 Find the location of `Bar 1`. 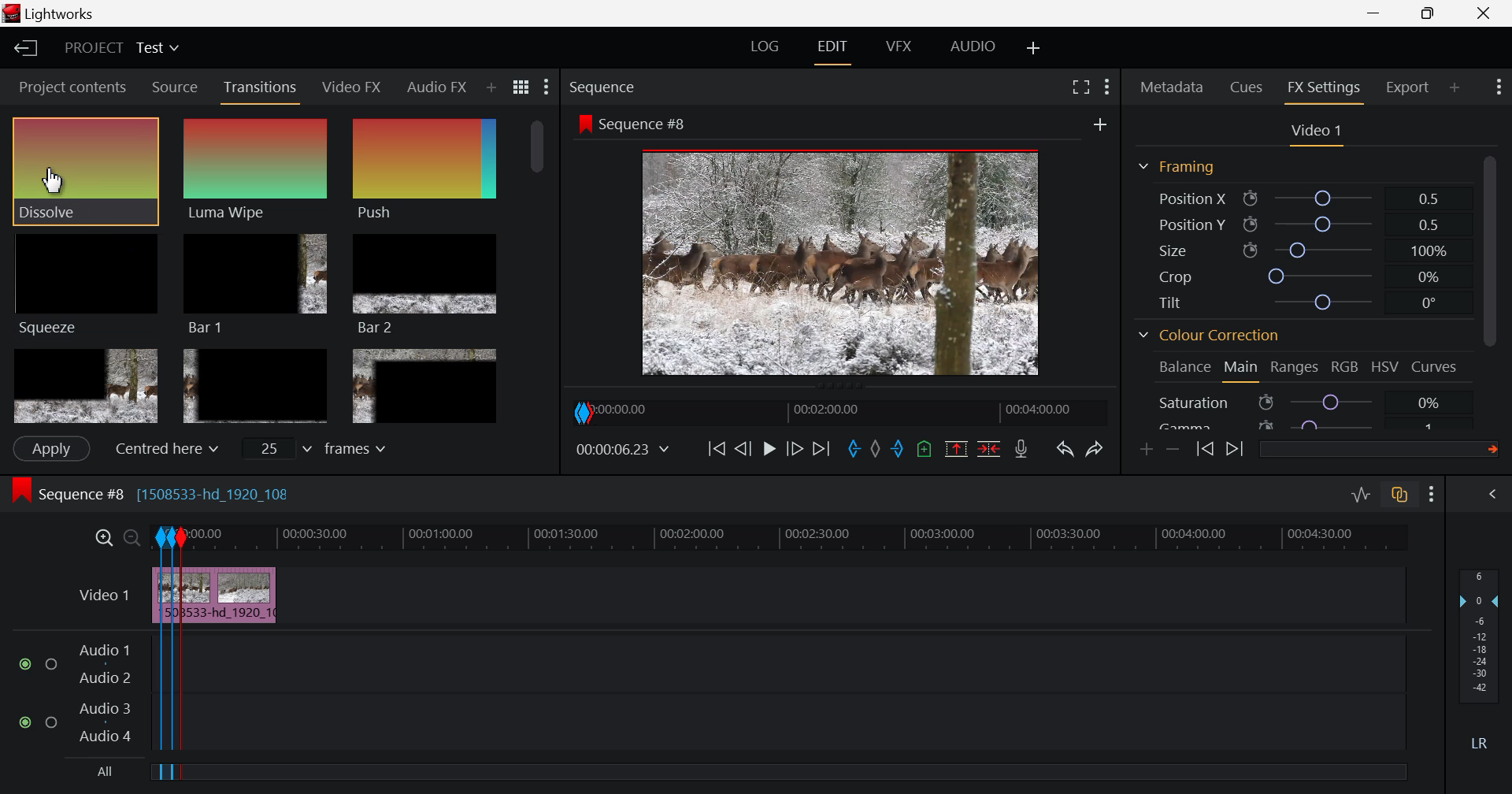

Bar 1 is located at coordinates (255, 285).